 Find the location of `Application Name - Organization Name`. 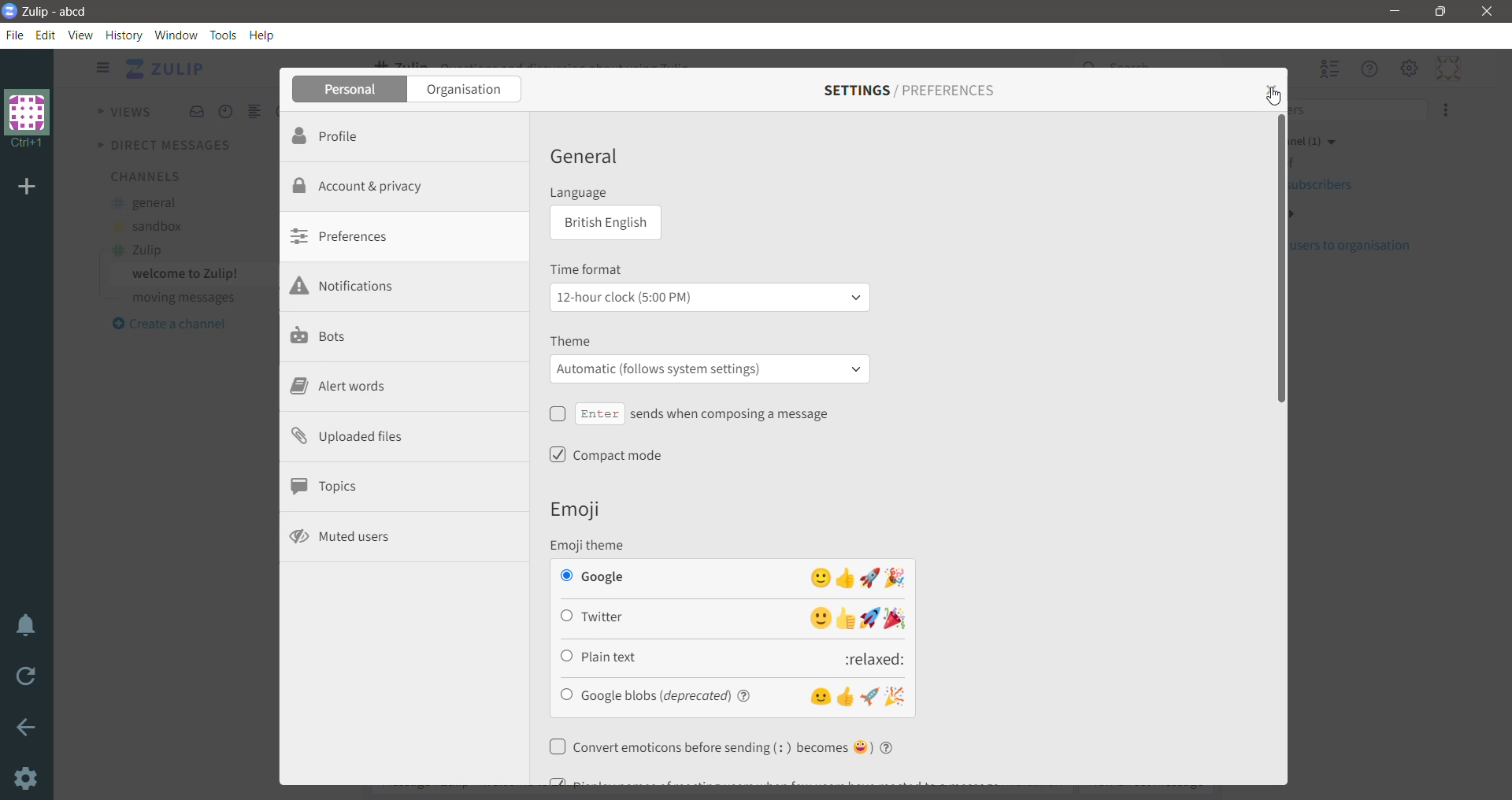

Application Name - Organization Name is located at coordinates (61, 12).